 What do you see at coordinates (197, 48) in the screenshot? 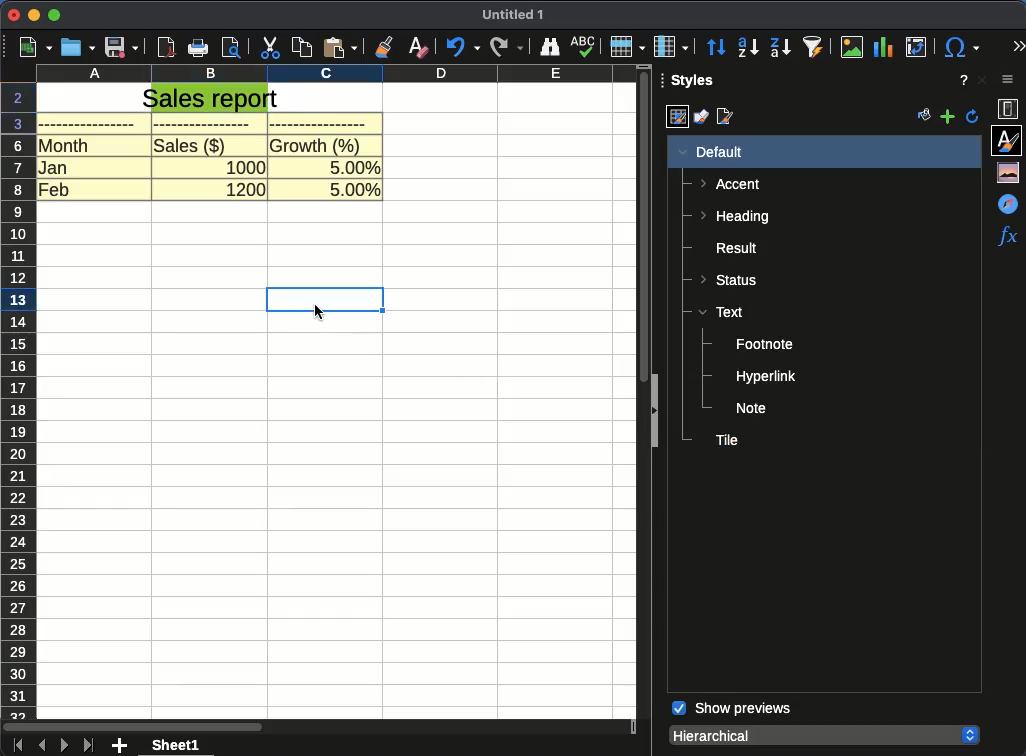
I see `print` at bounding box center [197, 48].